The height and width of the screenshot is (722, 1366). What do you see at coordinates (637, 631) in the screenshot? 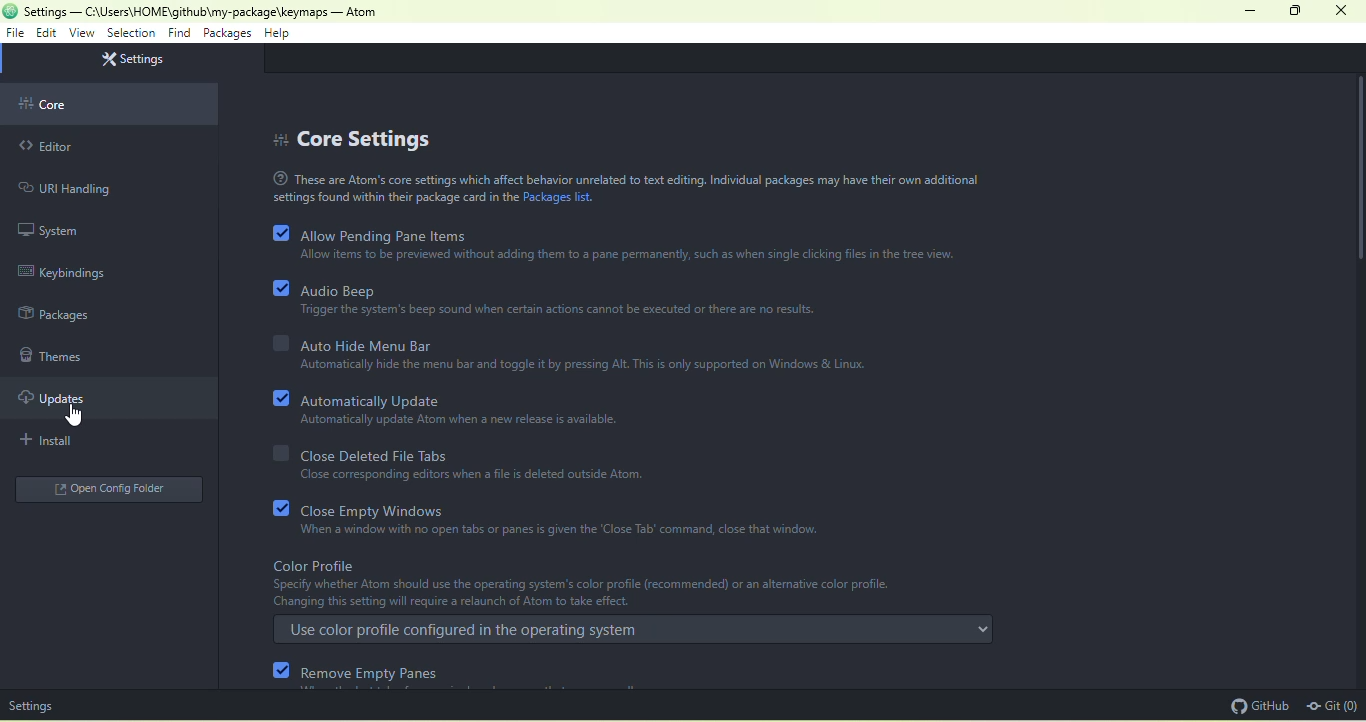
I see `use color profile configured in the operating sytem` at bounding box center [637, 631].